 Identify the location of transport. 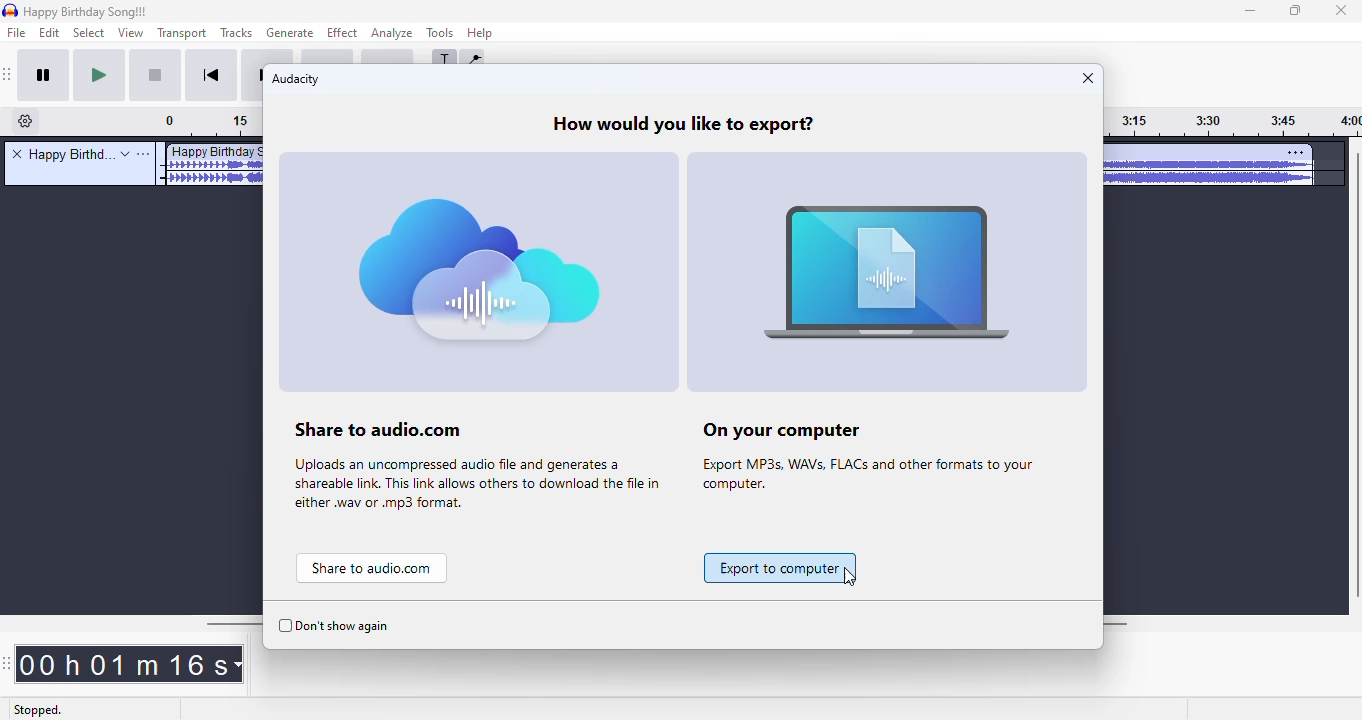
(180, 33).